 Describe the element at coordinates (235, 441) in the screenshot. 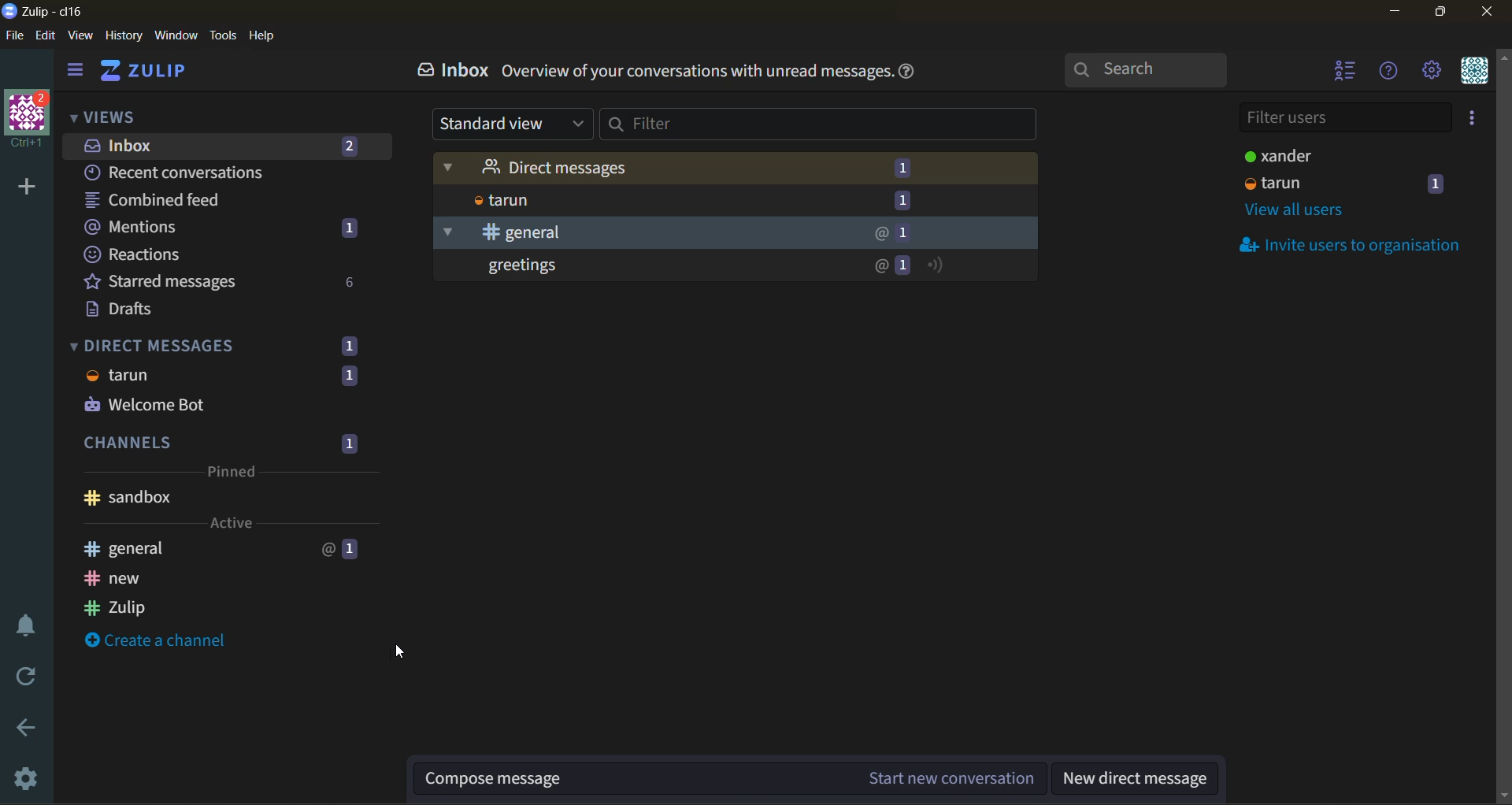

I see `channels` at that location.